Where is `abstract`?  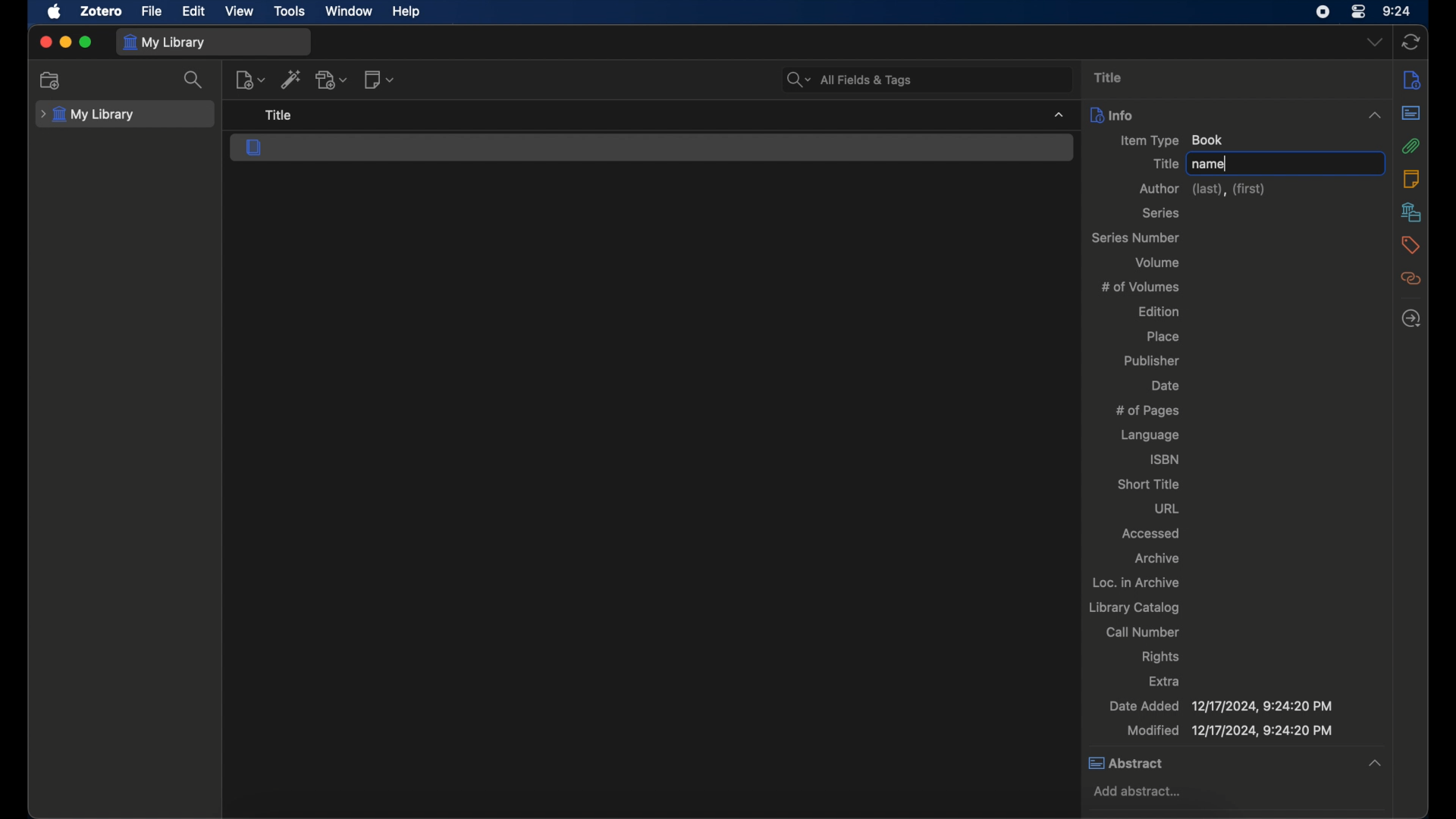
abstract is located at coordinates (1412, 113).